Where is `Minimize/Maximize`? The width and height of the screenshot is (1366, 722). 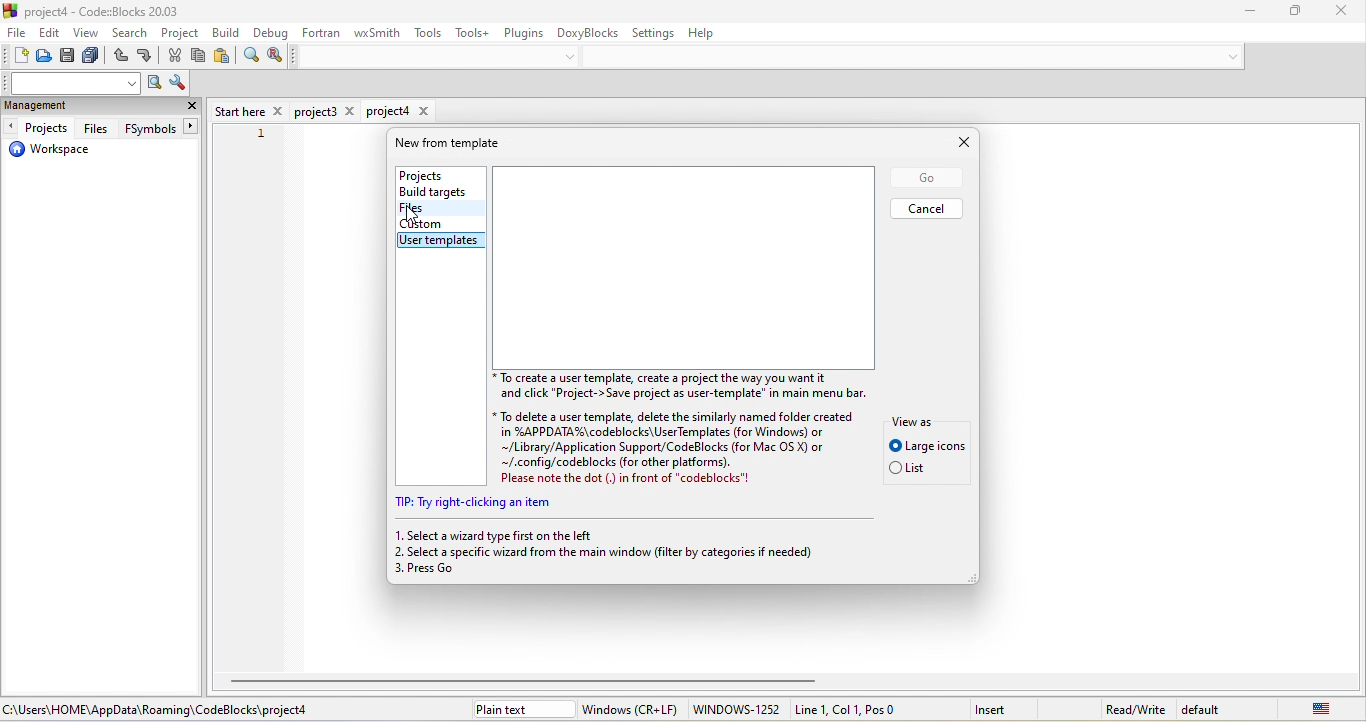 Minimize/Maximize is located at coordinates (1287, 12).